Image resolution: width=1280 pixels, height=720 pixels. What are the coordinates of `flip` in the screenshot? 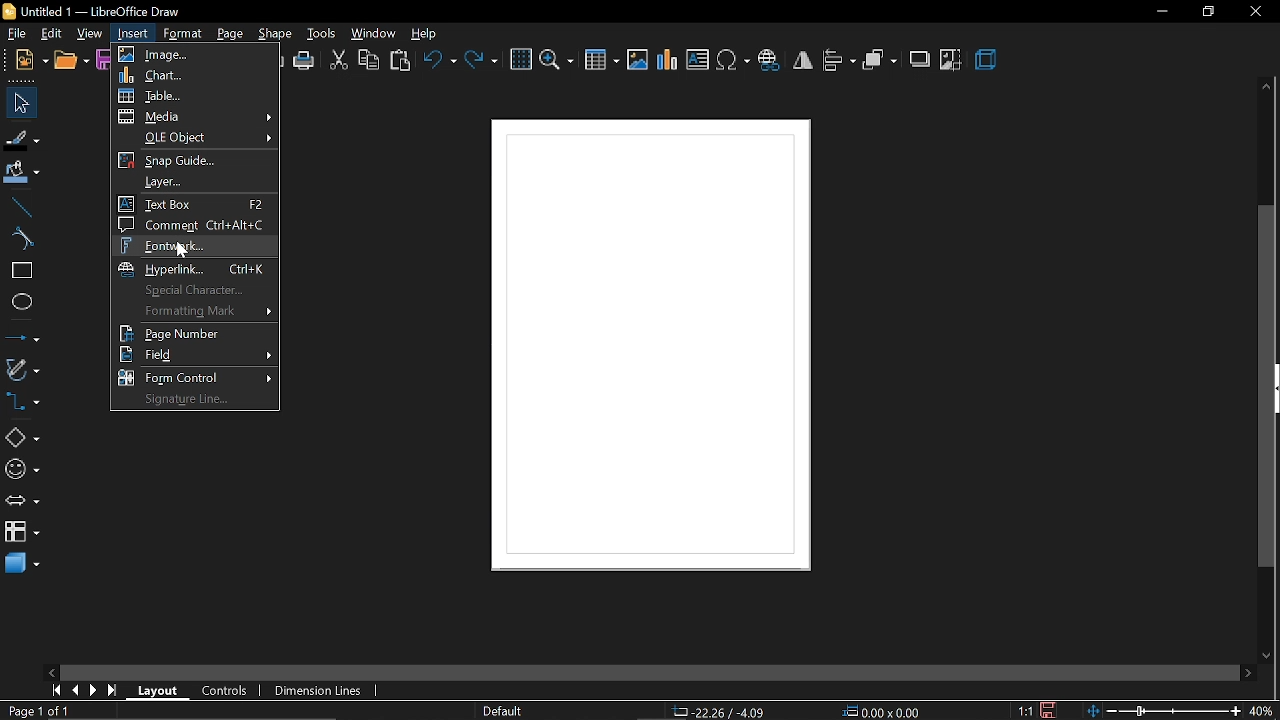 It's located at (803, 60).